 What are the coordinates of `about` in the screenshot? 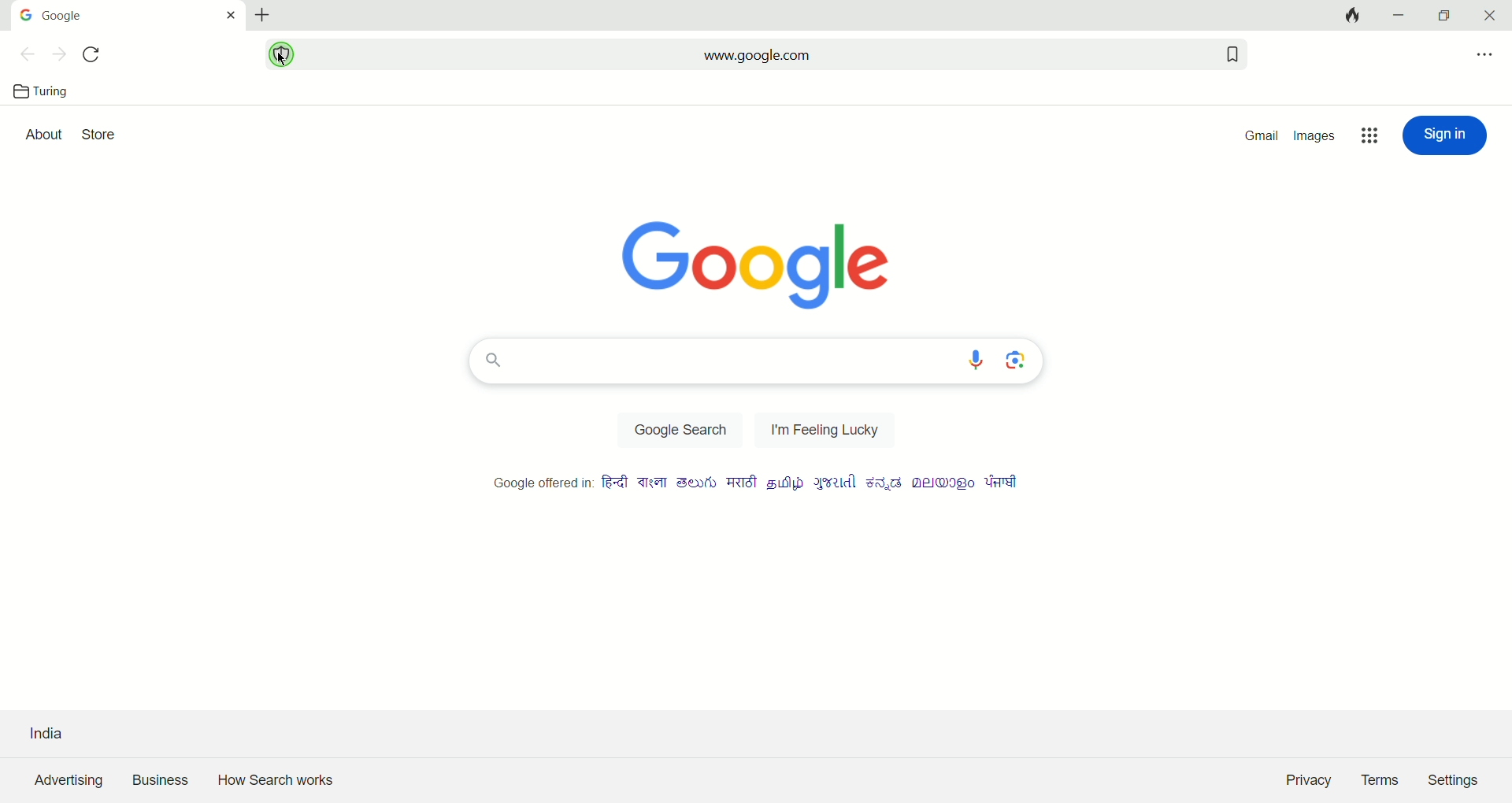 It's located at (43, 135).